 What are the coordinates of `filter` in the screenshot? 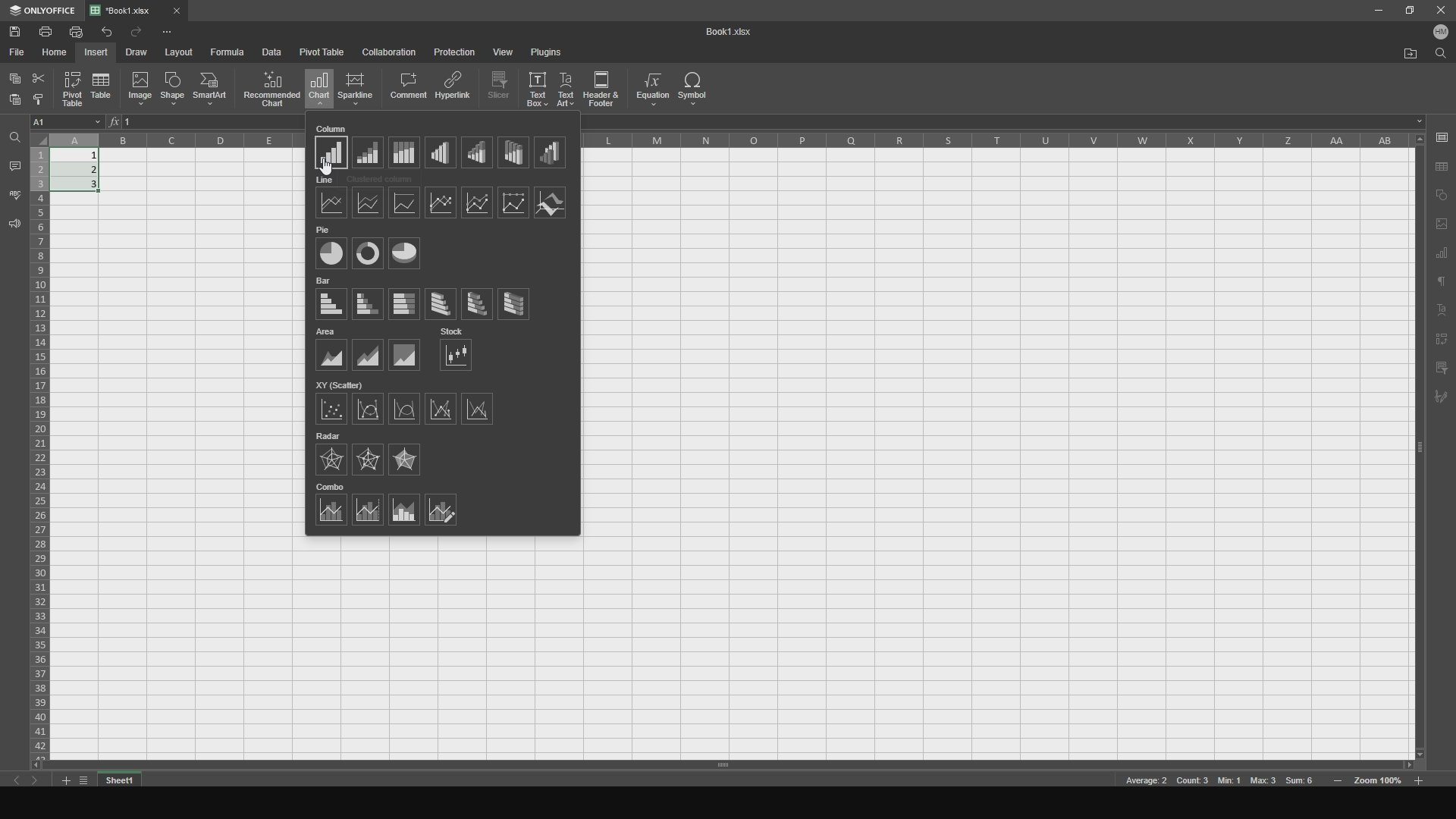 It's located at (1442, 367).